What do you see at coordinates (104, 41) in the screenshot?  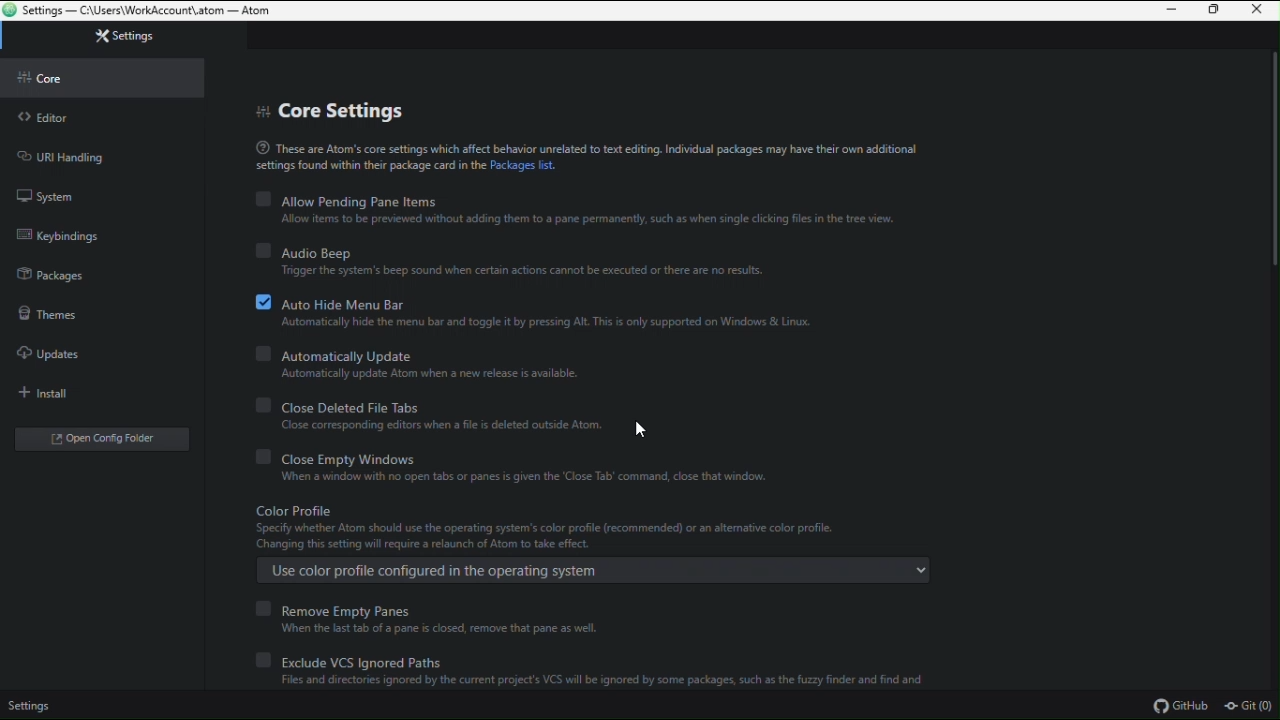 I see `settings` at bounding box center [104, 41].